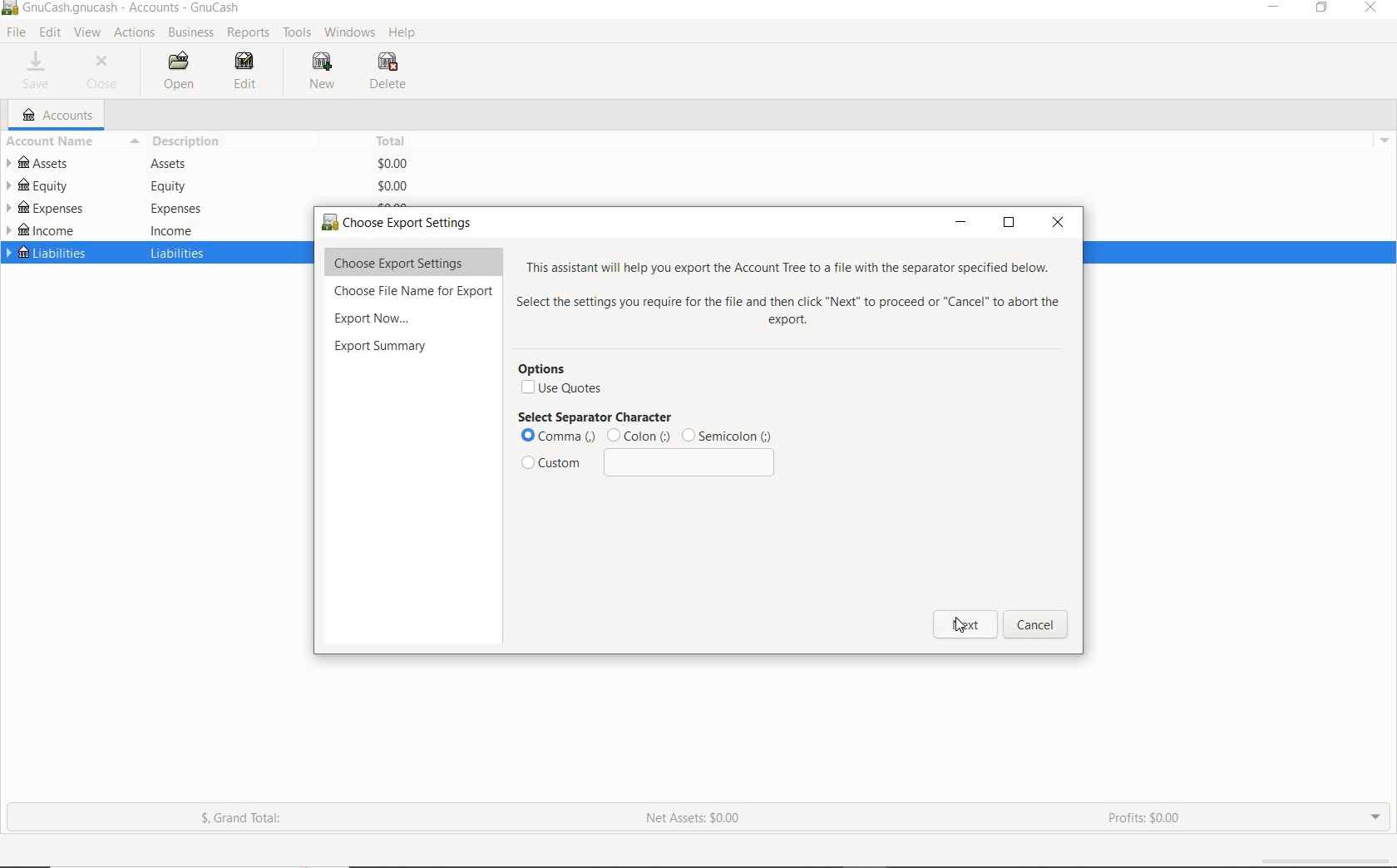 Image resolution: width=1397 pixels, height=868 pixels. Describe the element at coordinates (1009, 223) in the screenshot. I see `restore down` at that location.